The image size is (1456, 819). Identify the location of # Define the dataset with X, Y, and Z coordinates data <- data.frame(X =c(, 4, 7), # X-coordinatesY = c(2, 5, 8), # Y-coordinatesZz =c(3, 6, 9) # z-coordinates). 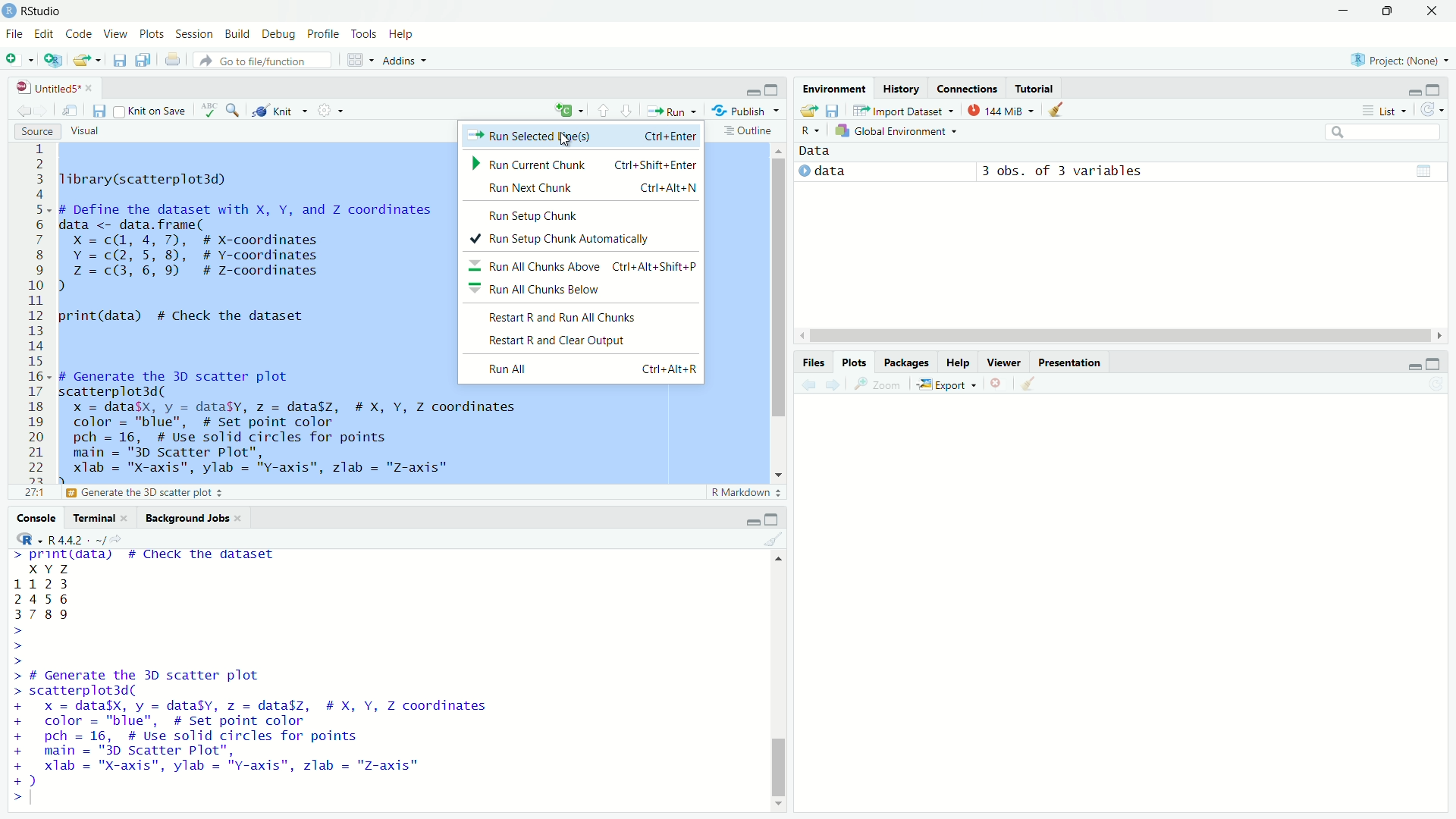
(256, 248).